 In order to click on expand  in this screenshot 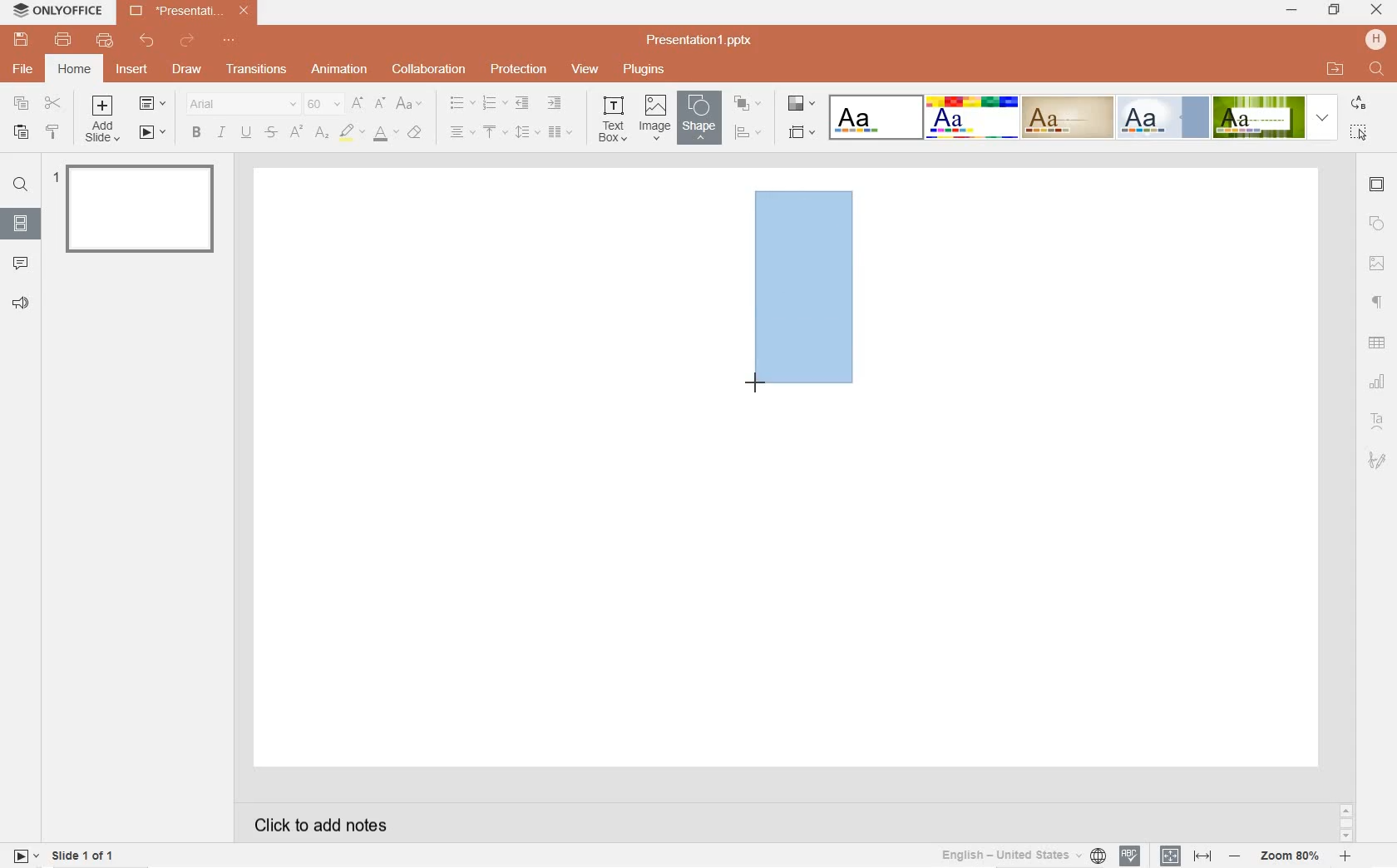, I will do `click(1322, 117)`.